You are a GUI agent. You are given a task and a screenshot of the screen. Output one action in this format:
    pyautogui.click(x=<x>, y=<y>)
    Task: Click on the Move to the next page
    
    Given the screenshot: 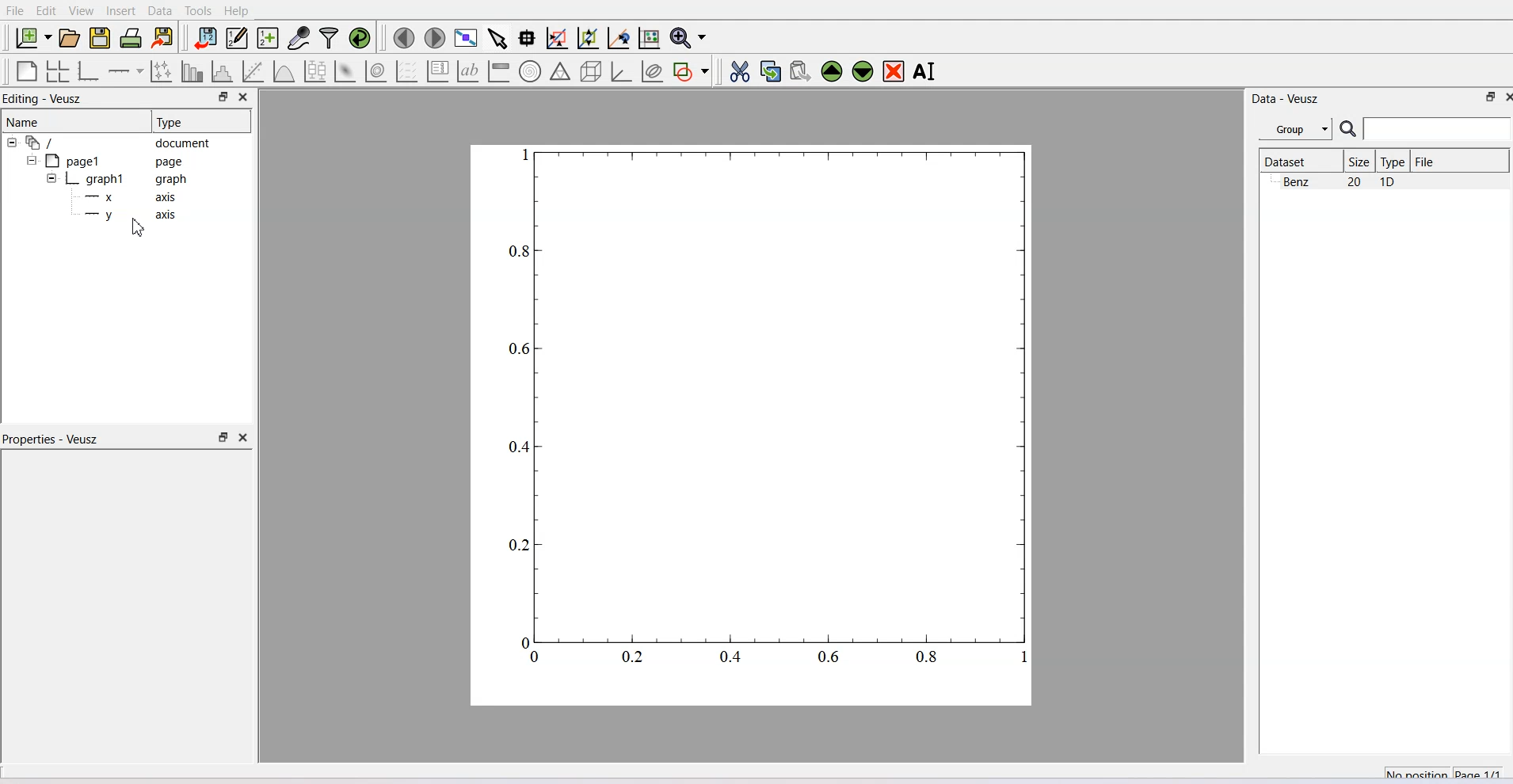 What is the action you would take?
    pyautogui.click(x=436, y=38)
    